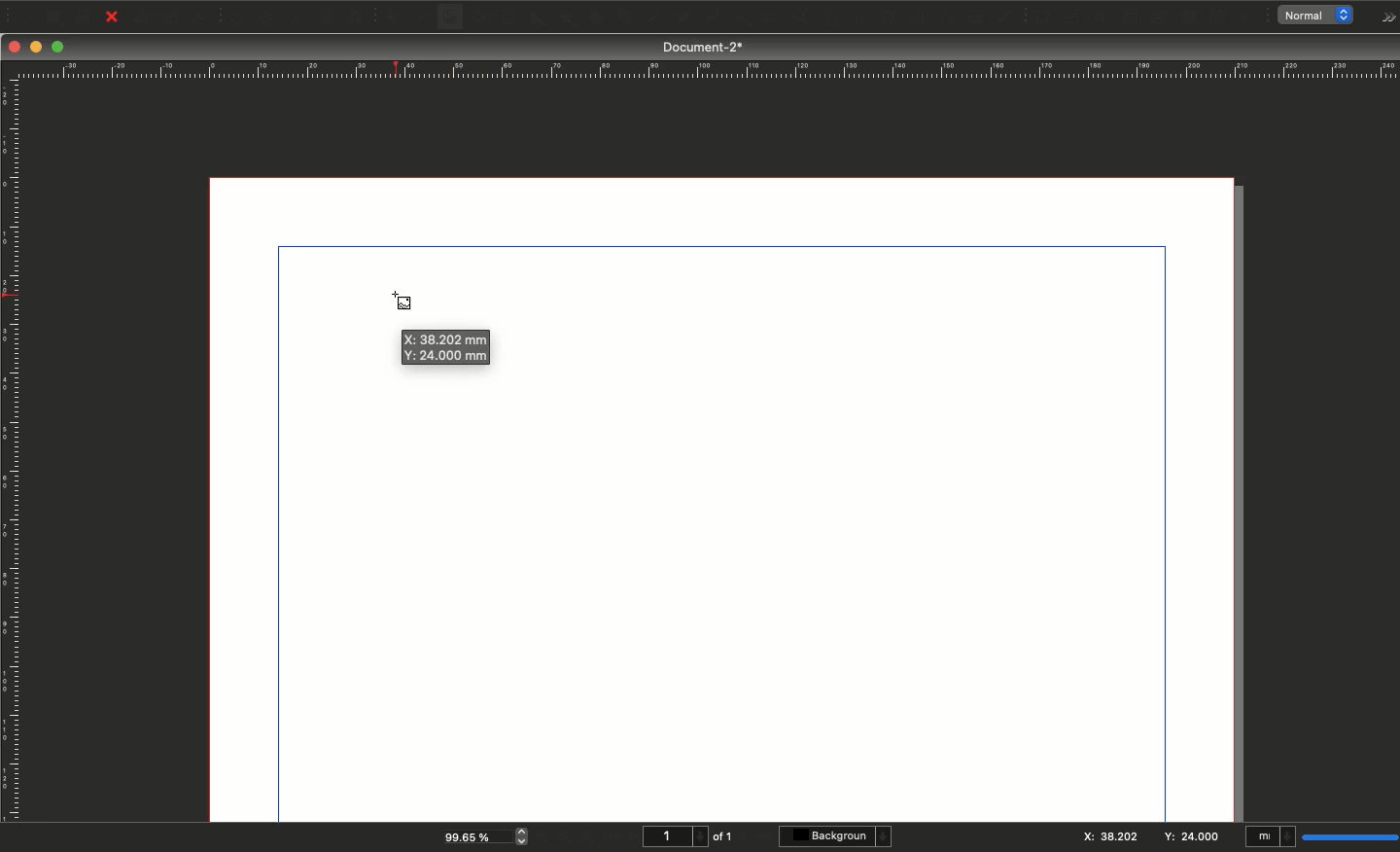  I want to click on PDF combo box, so click(1157, 18).